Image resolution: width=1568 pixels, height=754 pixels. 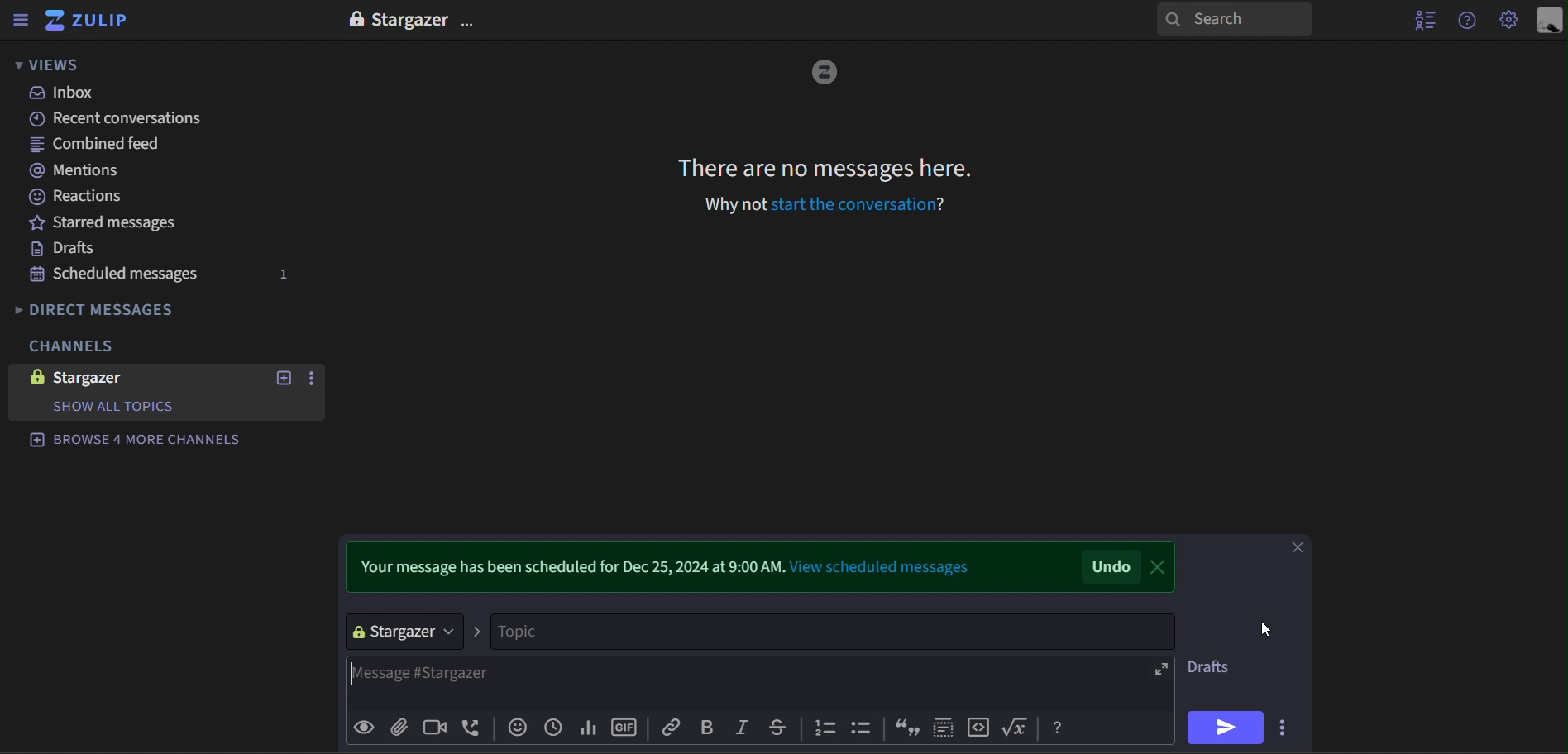 What do you see at coordinates (825, 728) in the screenshot?
I see `Counting list list` at bounding box center [825, 728].